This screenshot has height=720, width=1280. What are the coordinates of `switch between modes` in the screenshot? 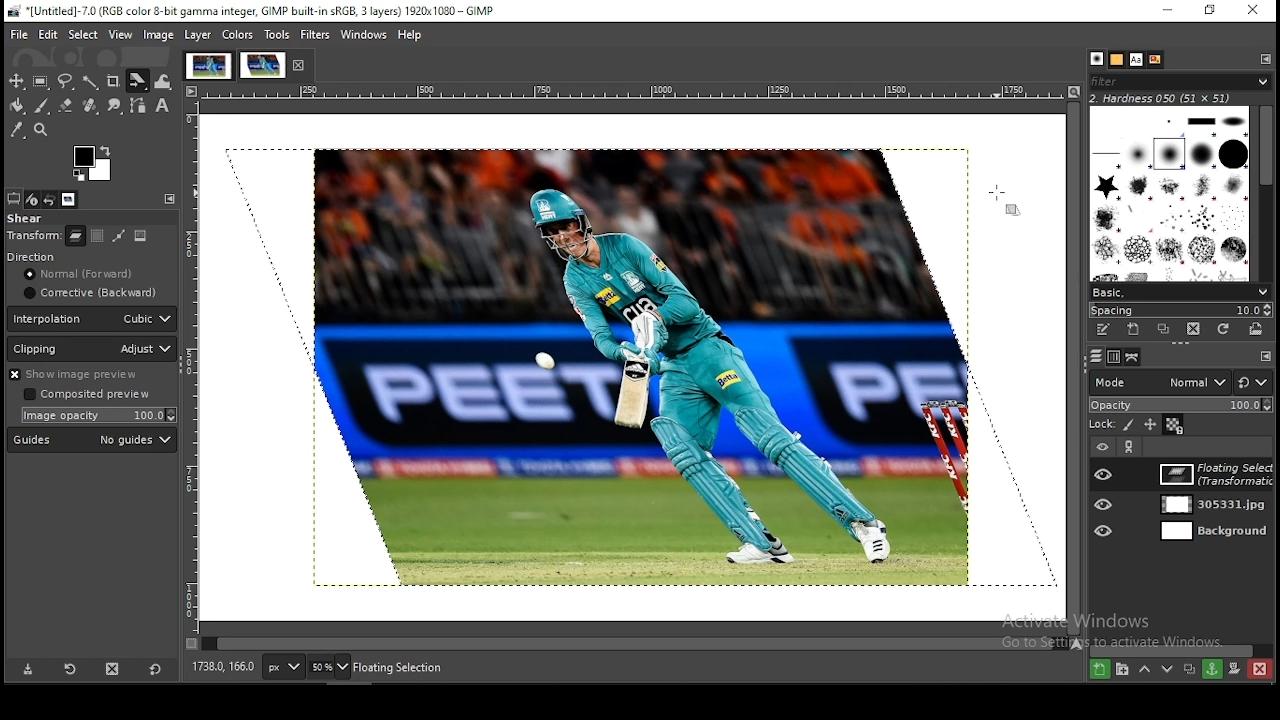 It's located at (1255, 383).